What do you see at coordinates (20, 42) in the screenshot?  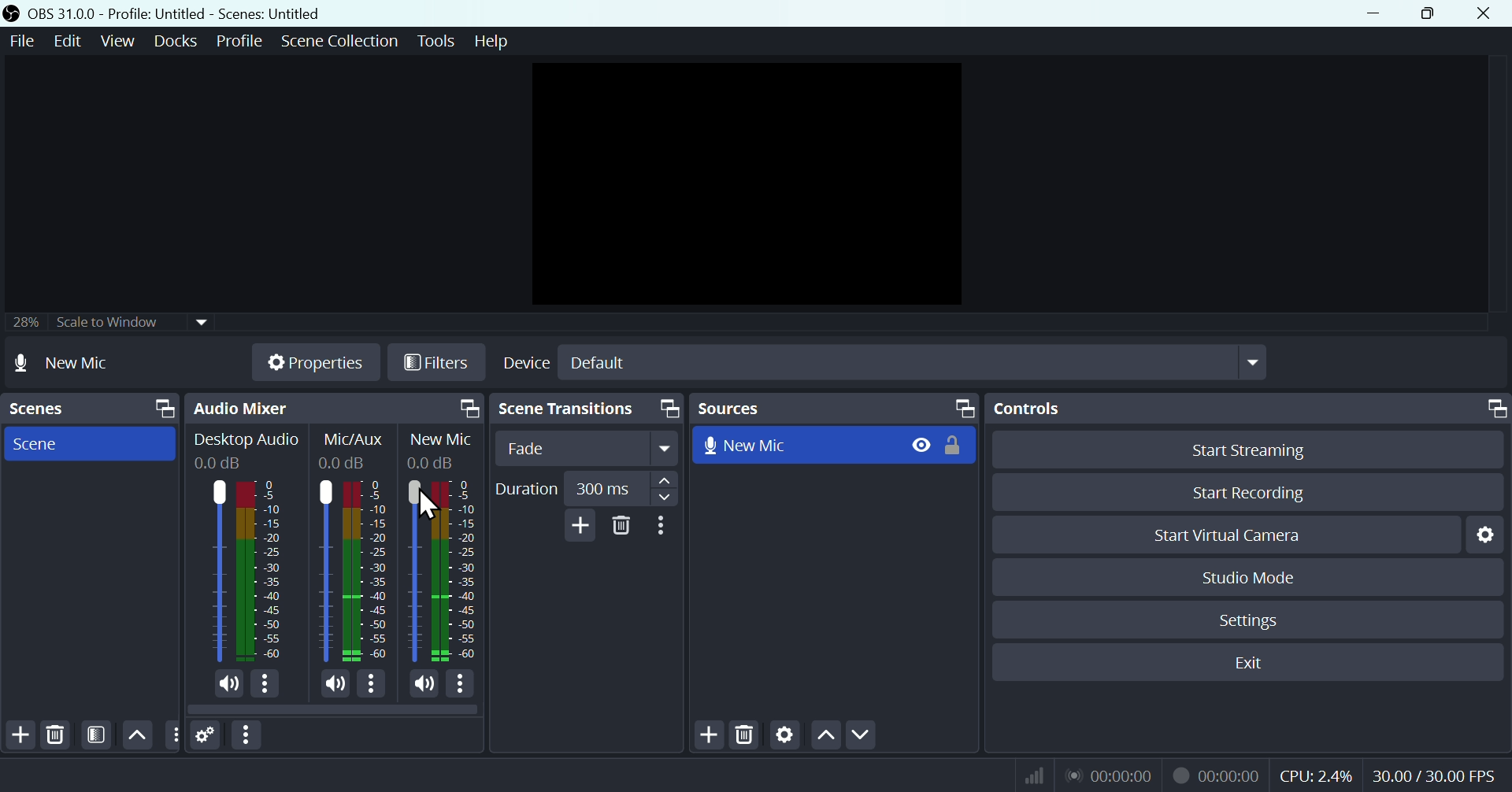 I see `File` at bounding box center [20, 42].